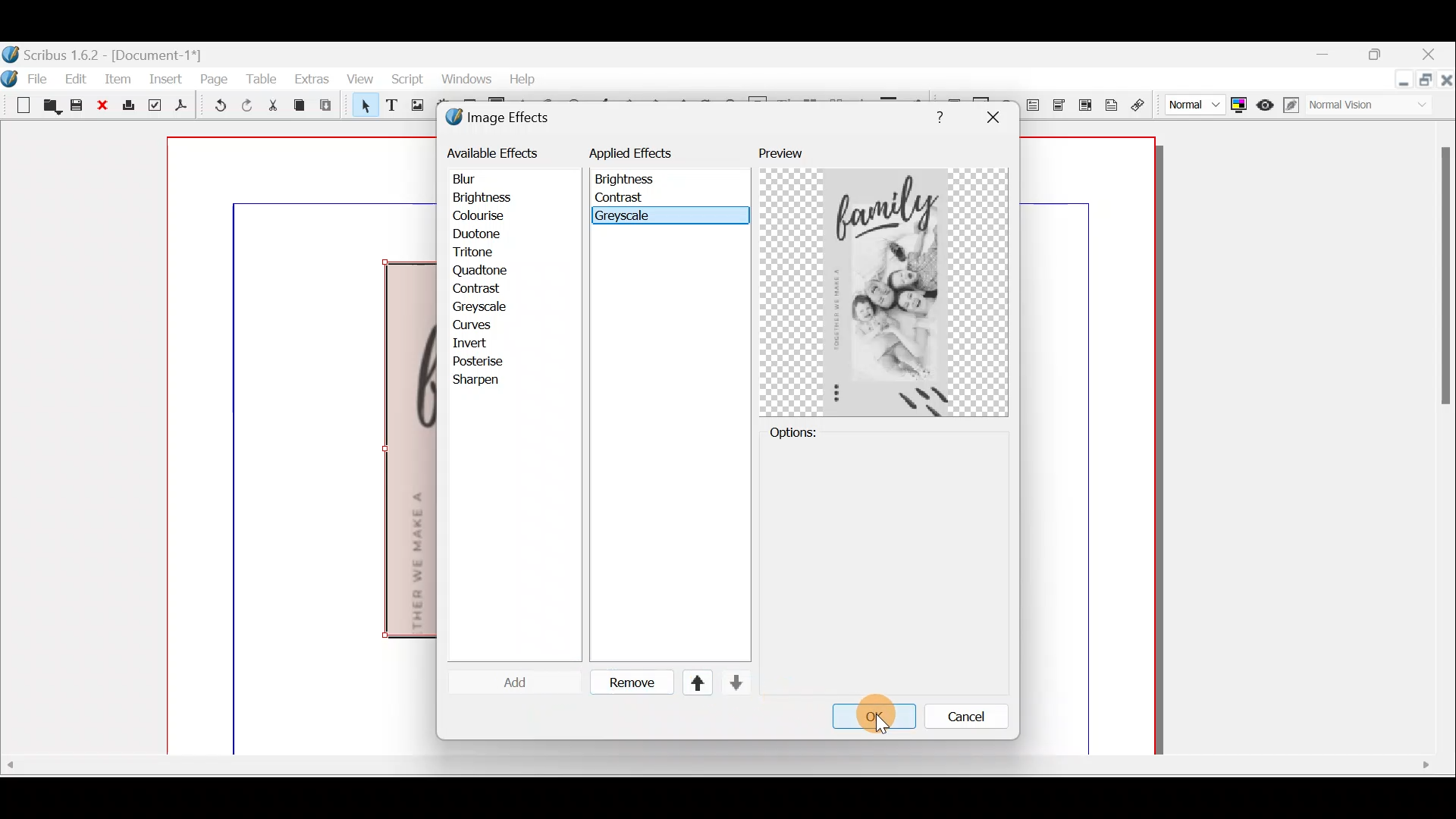 Image resolution: width=1456 pixels, height=819 pixels. Describe the element at coordinates (244, 106) in the screenshot. I see `Redo` at that location.